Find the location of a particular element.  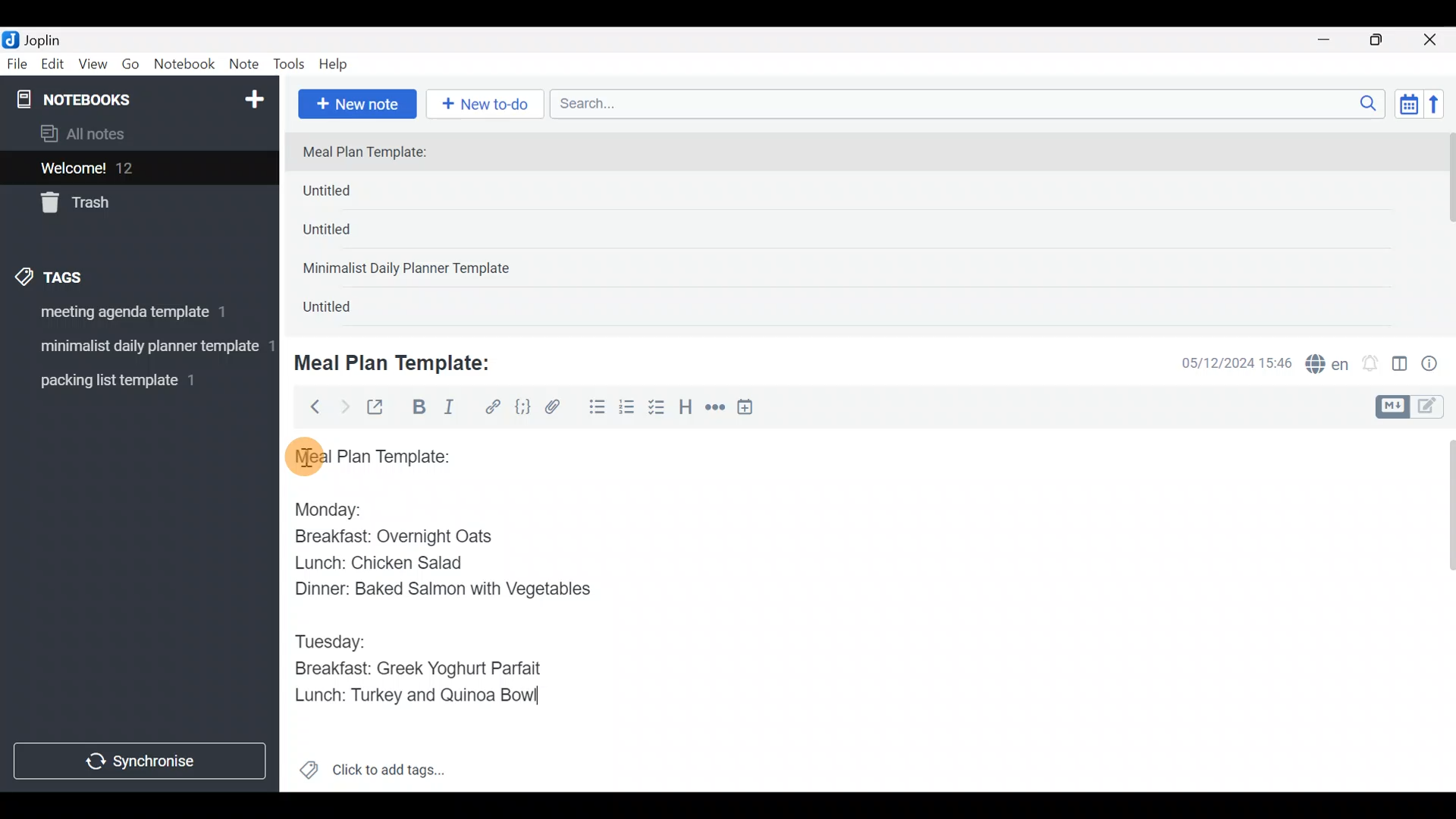

All notes is located at coordinates (136, 135).